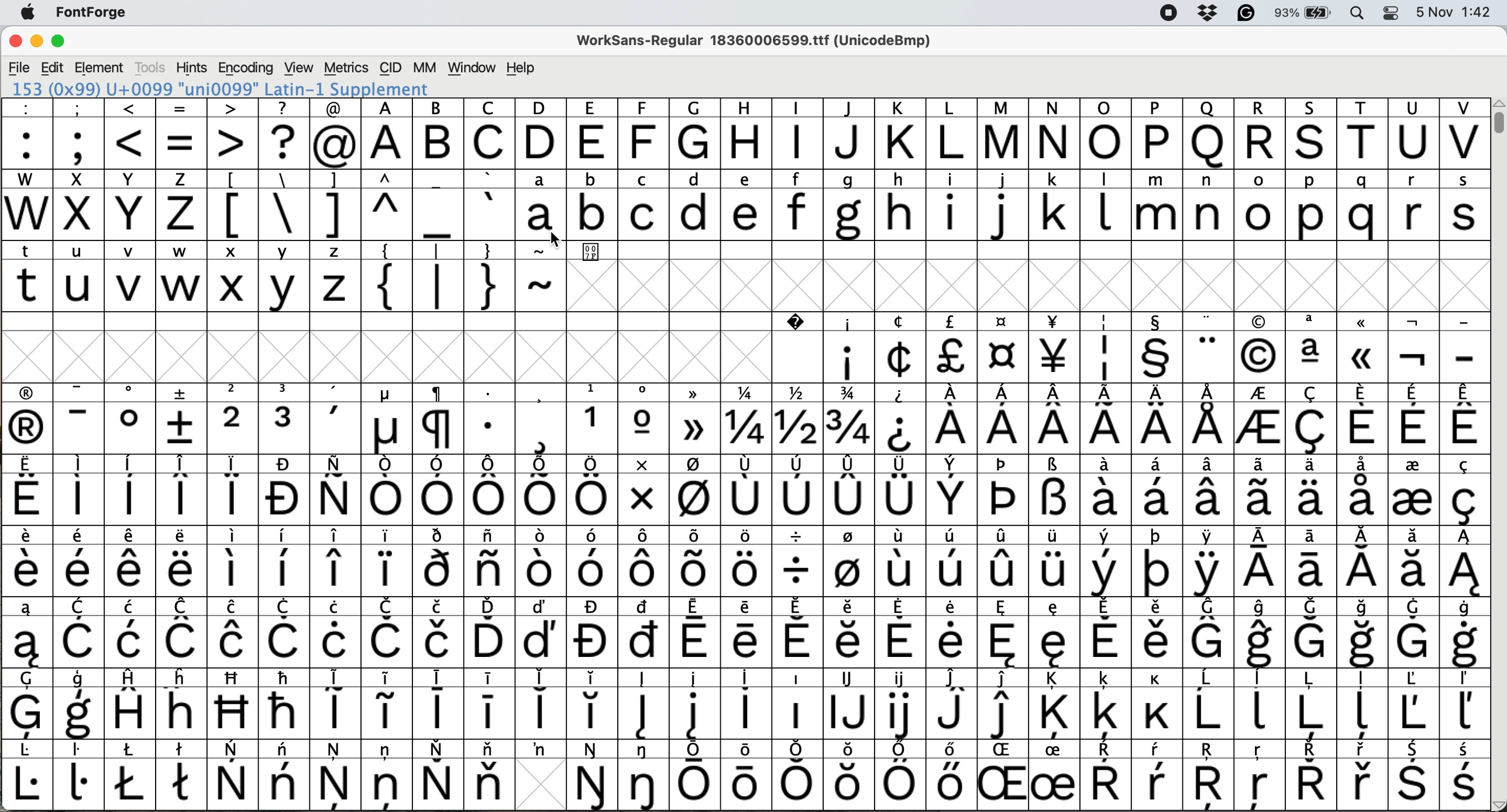 Image resolution: width=1507 pixels, height=812 pixels. What do you see at coordinates (849, 134) in the screenshot?
I see `J` at bounding box center [849, 134].